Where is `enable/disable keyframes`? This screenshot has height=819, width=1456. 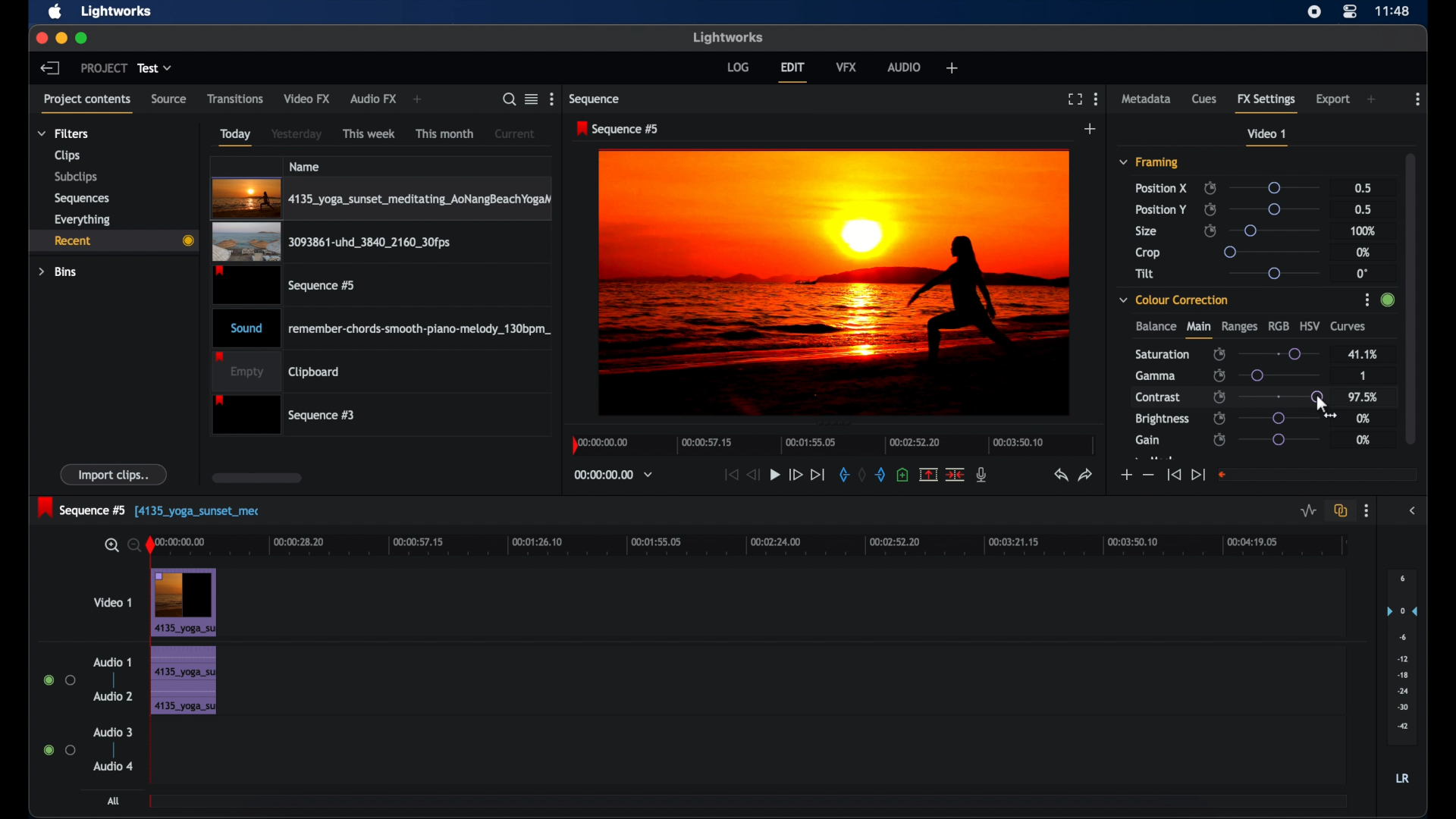 enable/disable keyframes is located at coordinates (1210, 209).